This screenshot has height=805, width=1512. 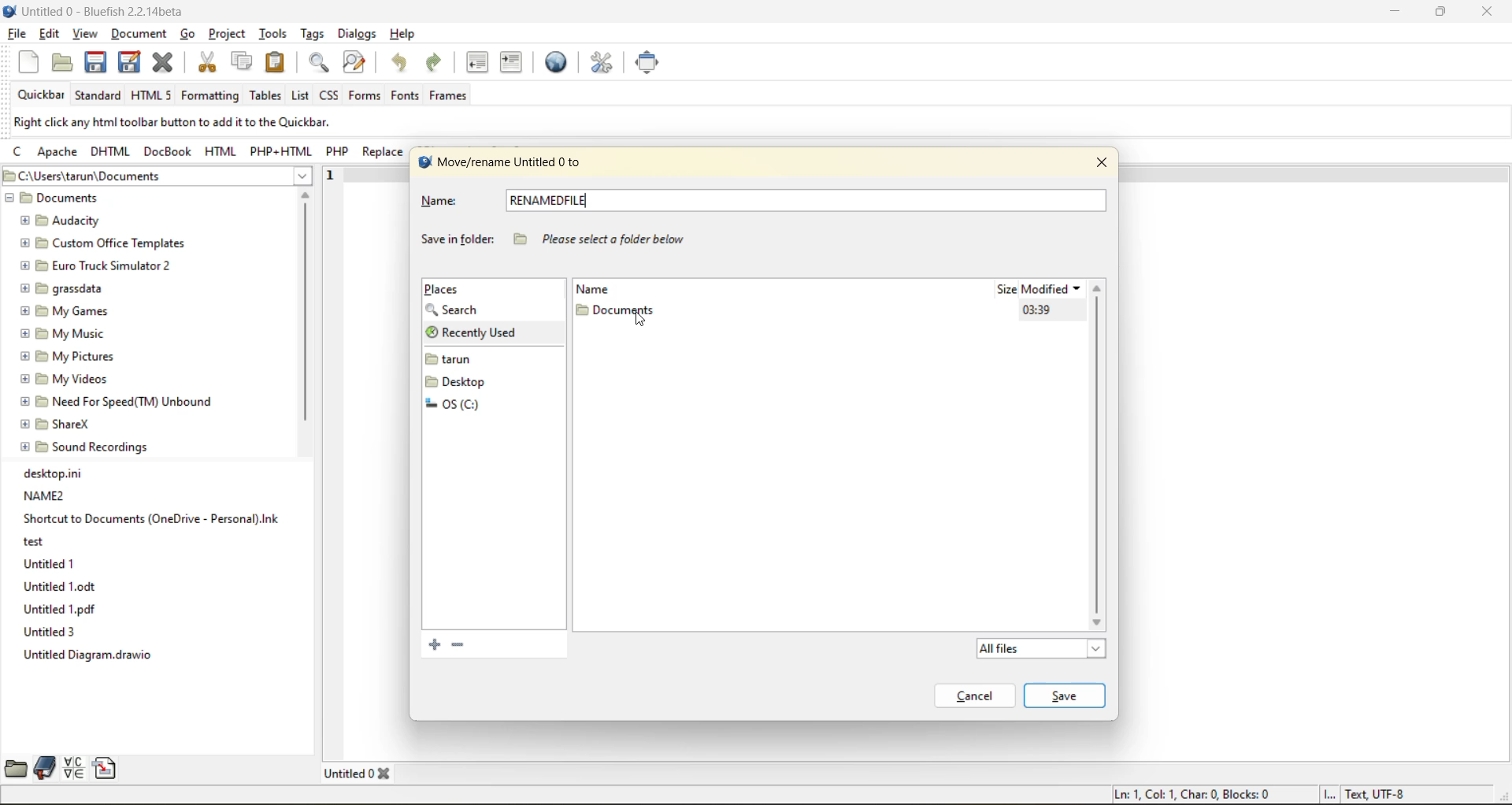 What do you see at coordinates (45, 95) in the screenshot?
I see `quickbar` at bounding box center [45, 95].